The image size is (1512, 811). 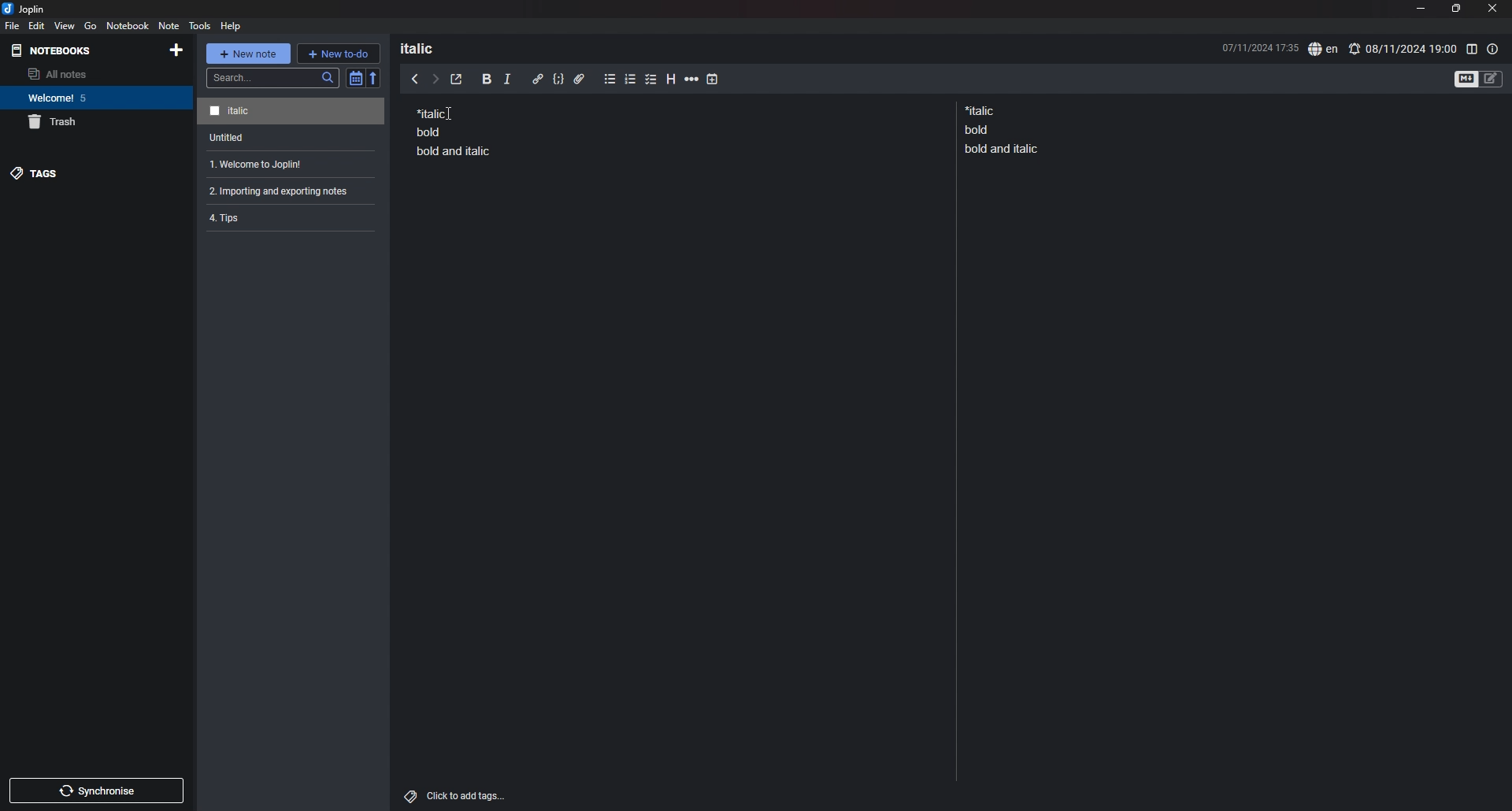 I want to click on bold, so click(x=487, y=80).